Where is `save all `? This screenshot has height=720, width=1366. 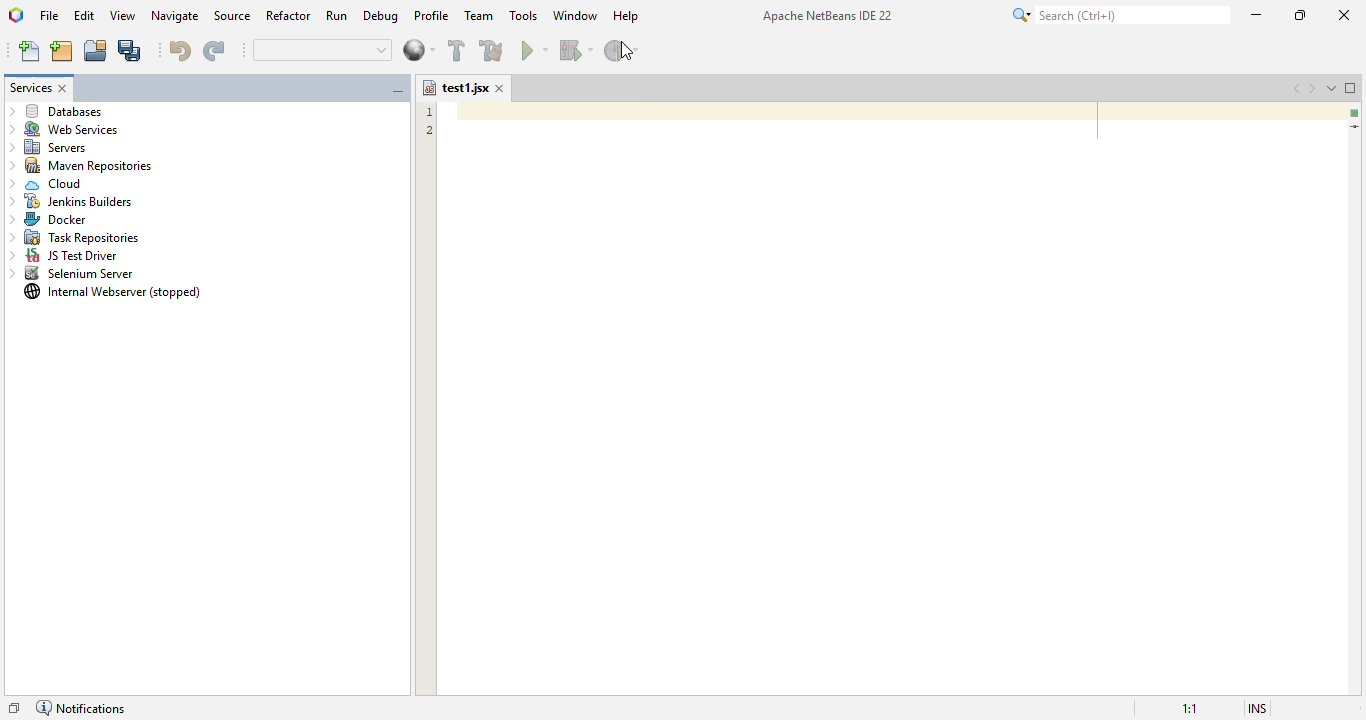
save all  is located at coordinates (131, 51).